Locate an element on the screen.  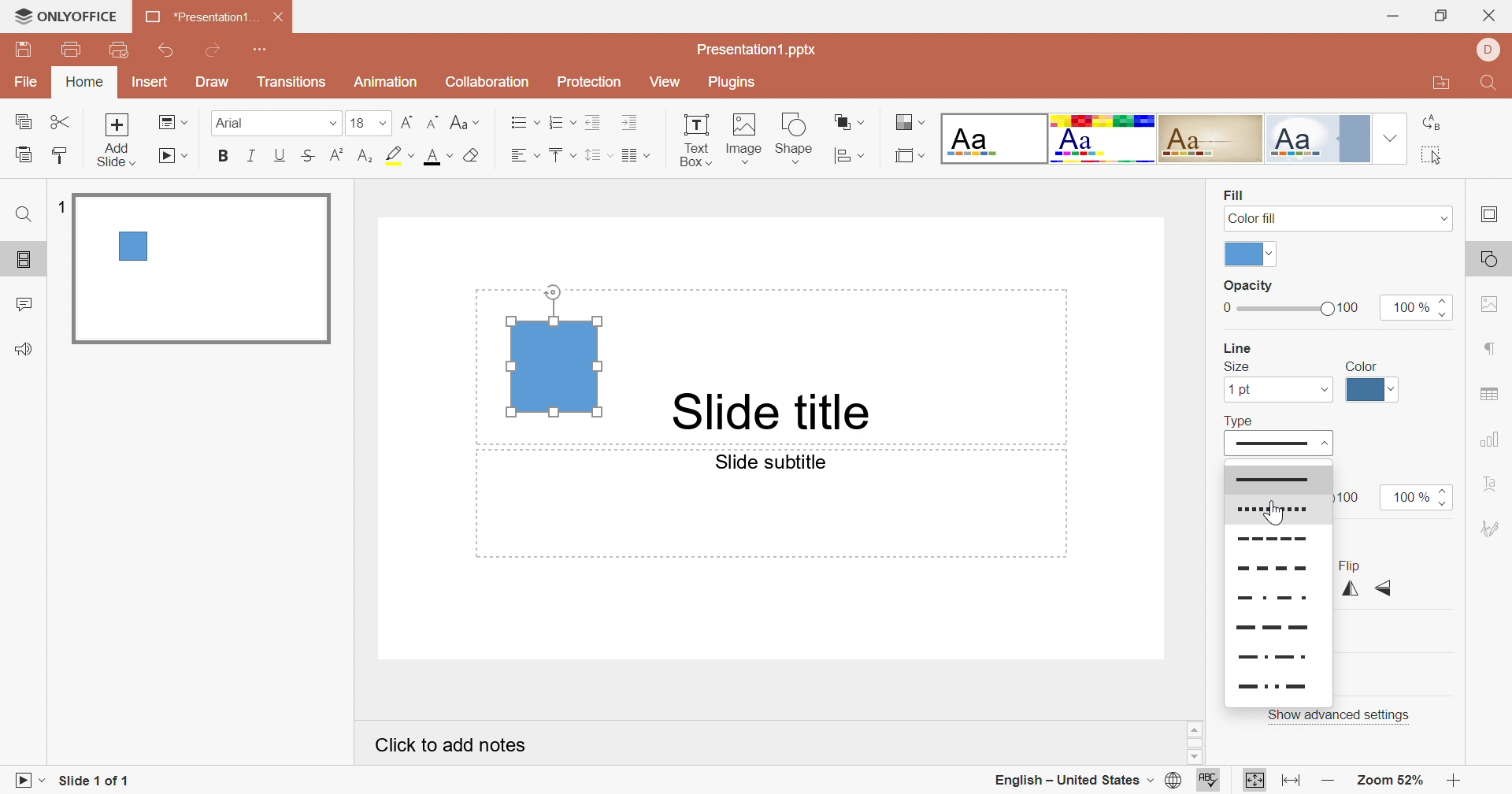
Line spacing is located at coordinates (598, 158).